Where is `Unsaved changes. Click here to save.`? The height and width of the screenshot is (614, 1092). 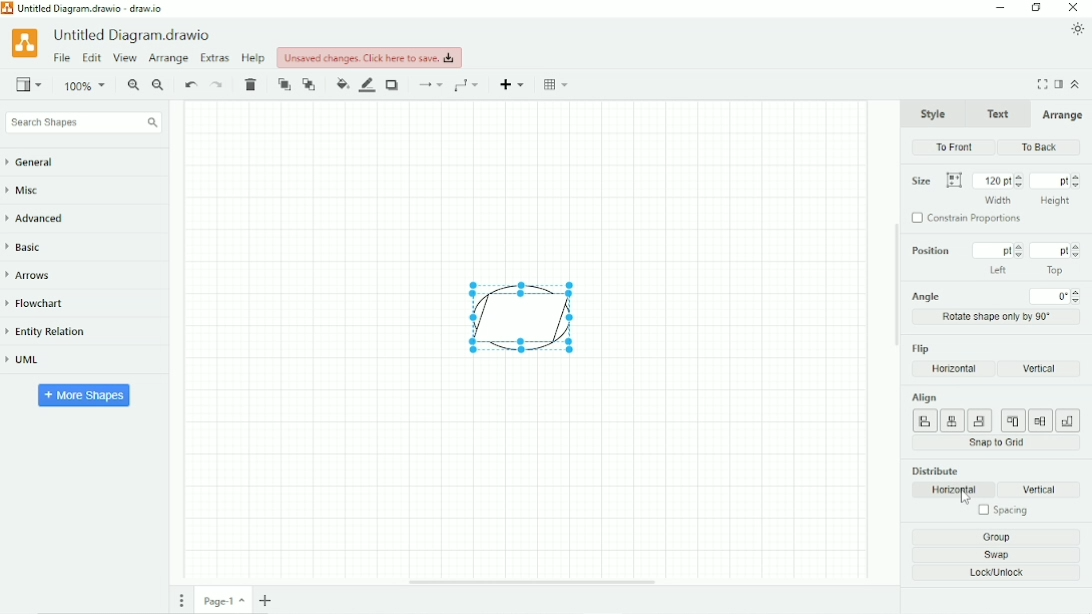 Unsaved changes. Click here to save. is located at coordinates (370, 57).